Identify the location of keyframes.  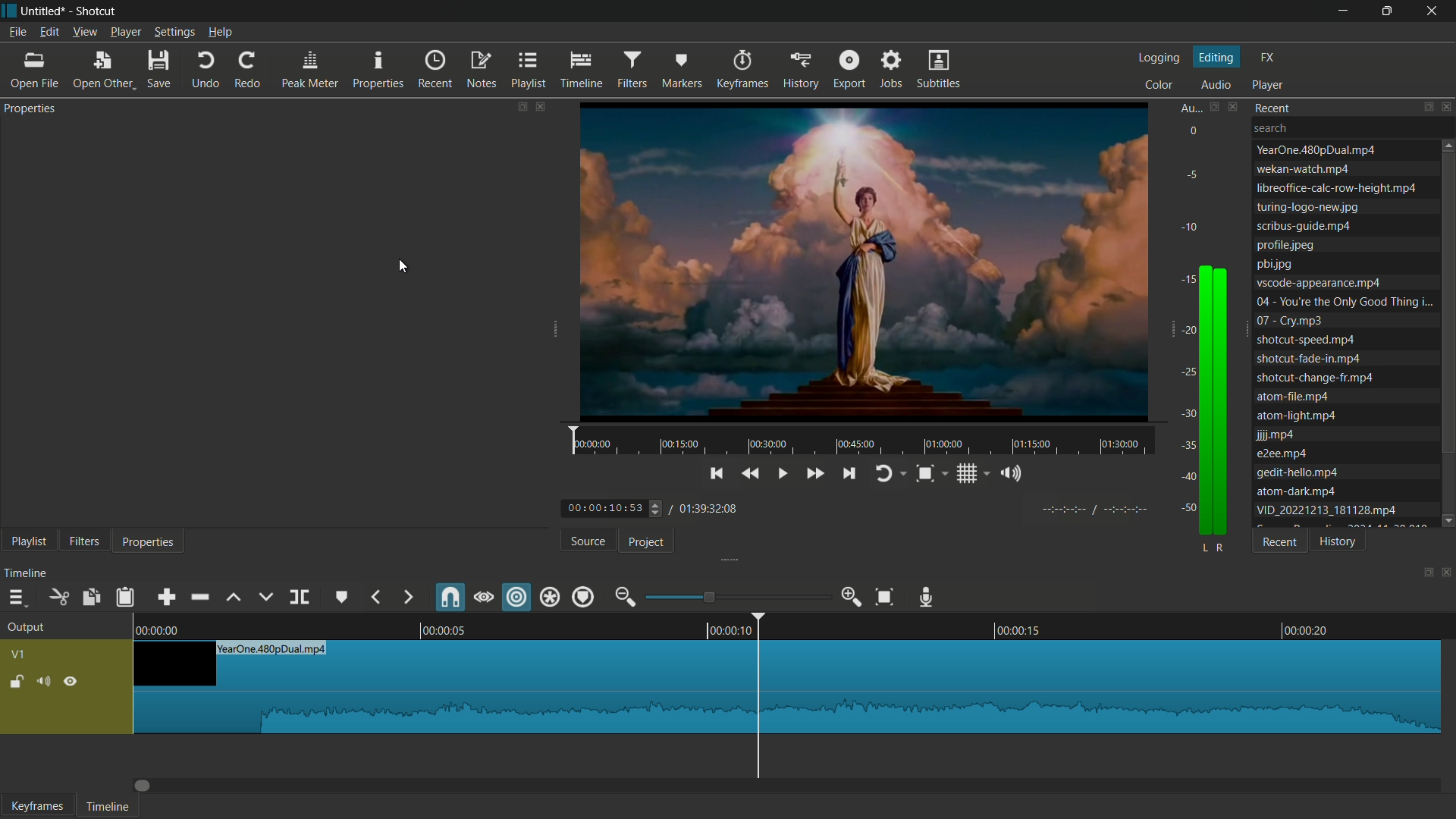
(37, 806).